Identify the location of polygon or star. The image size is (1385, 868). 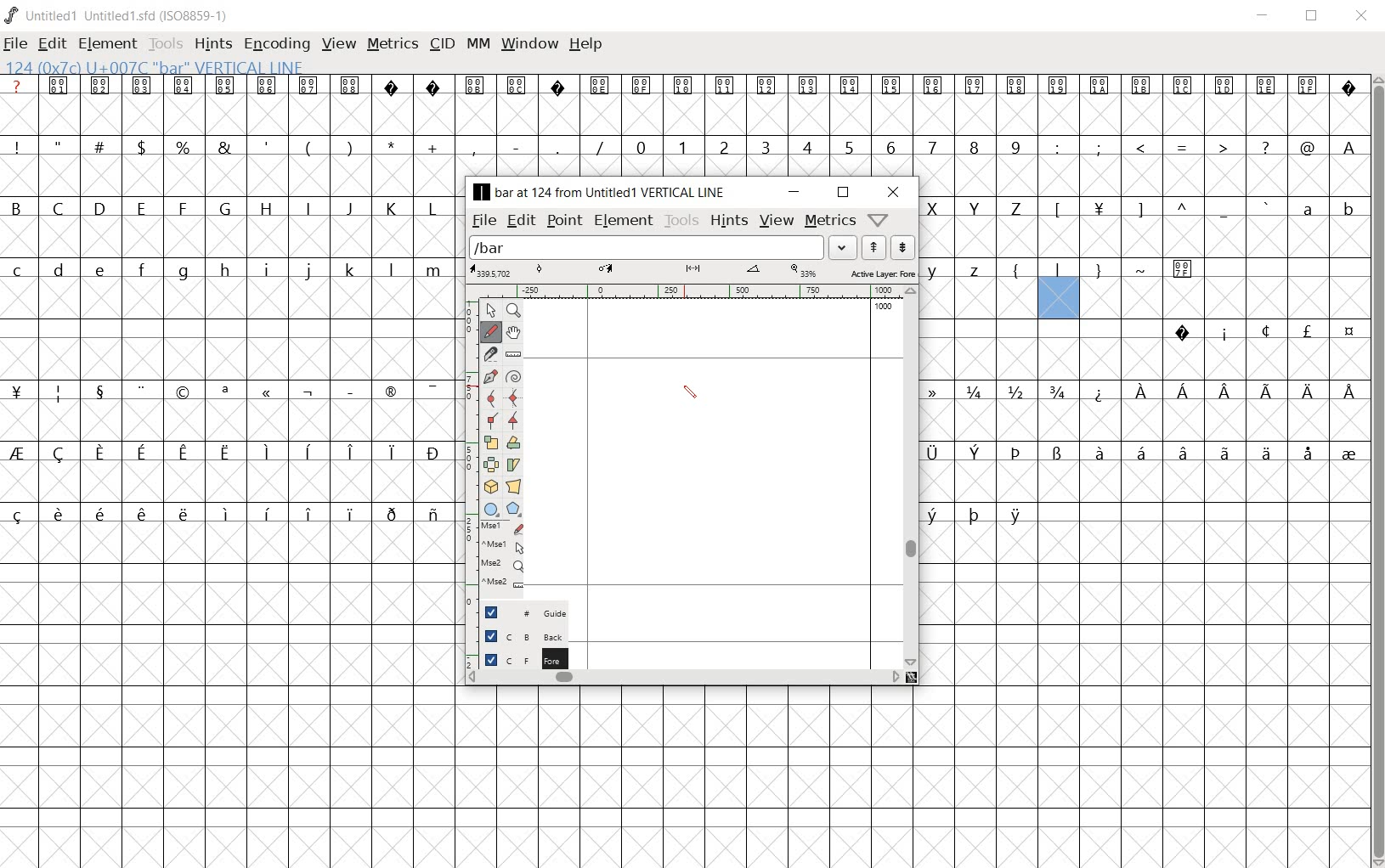
(516, 509).